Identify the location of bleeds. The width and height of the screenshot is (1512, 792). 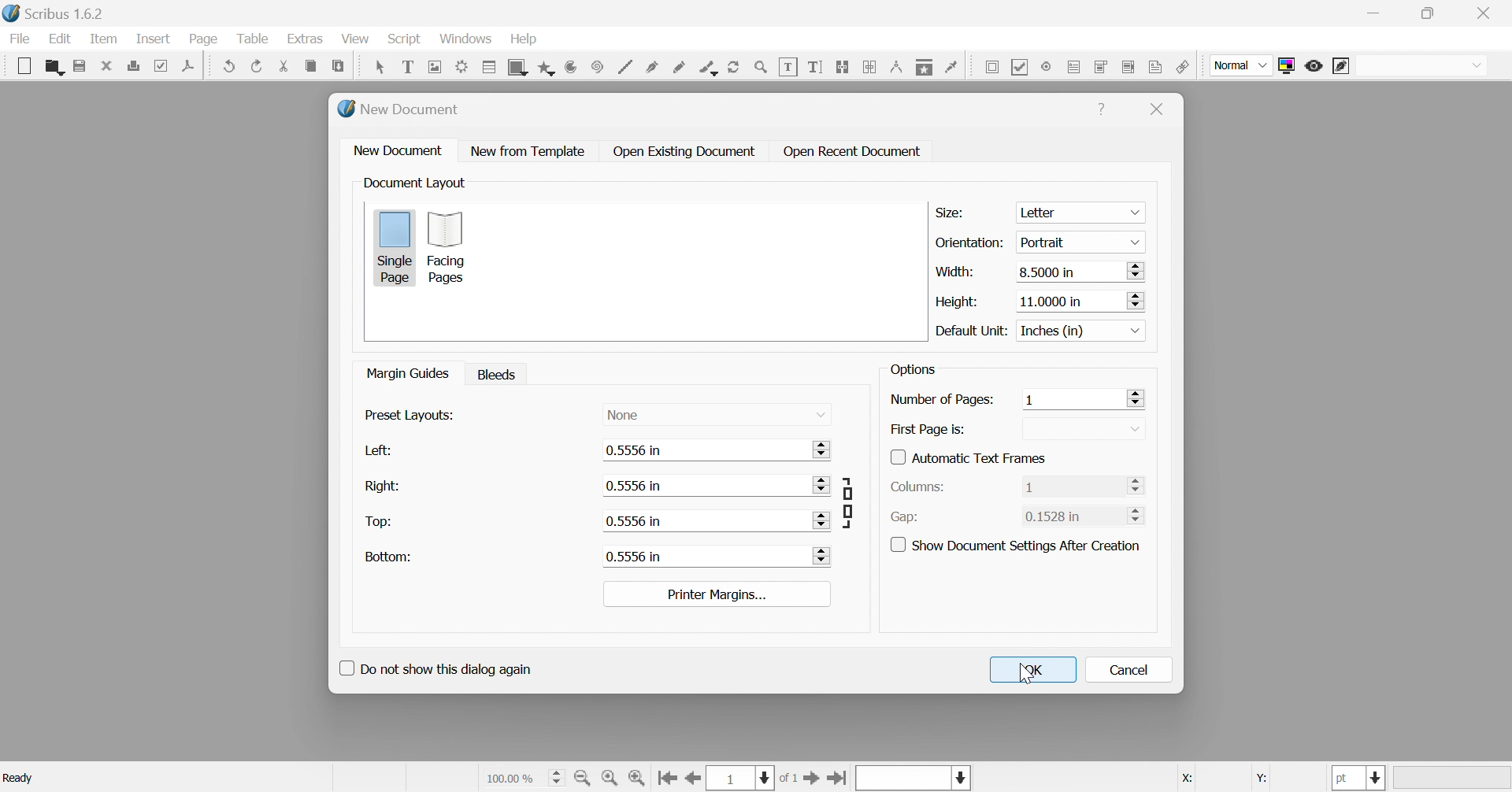
(497, 373).